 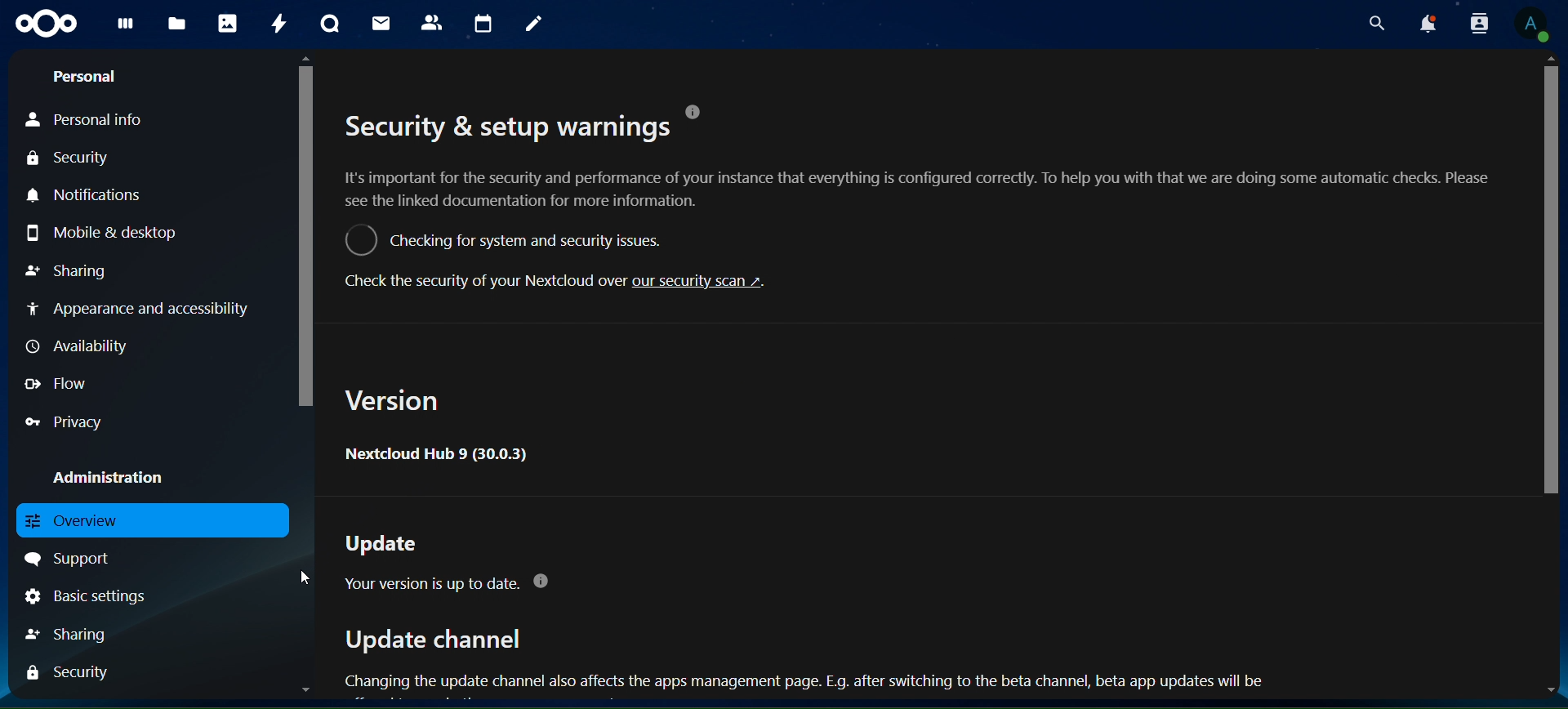 I want to click on view profile, so click(x=1530, y=25).